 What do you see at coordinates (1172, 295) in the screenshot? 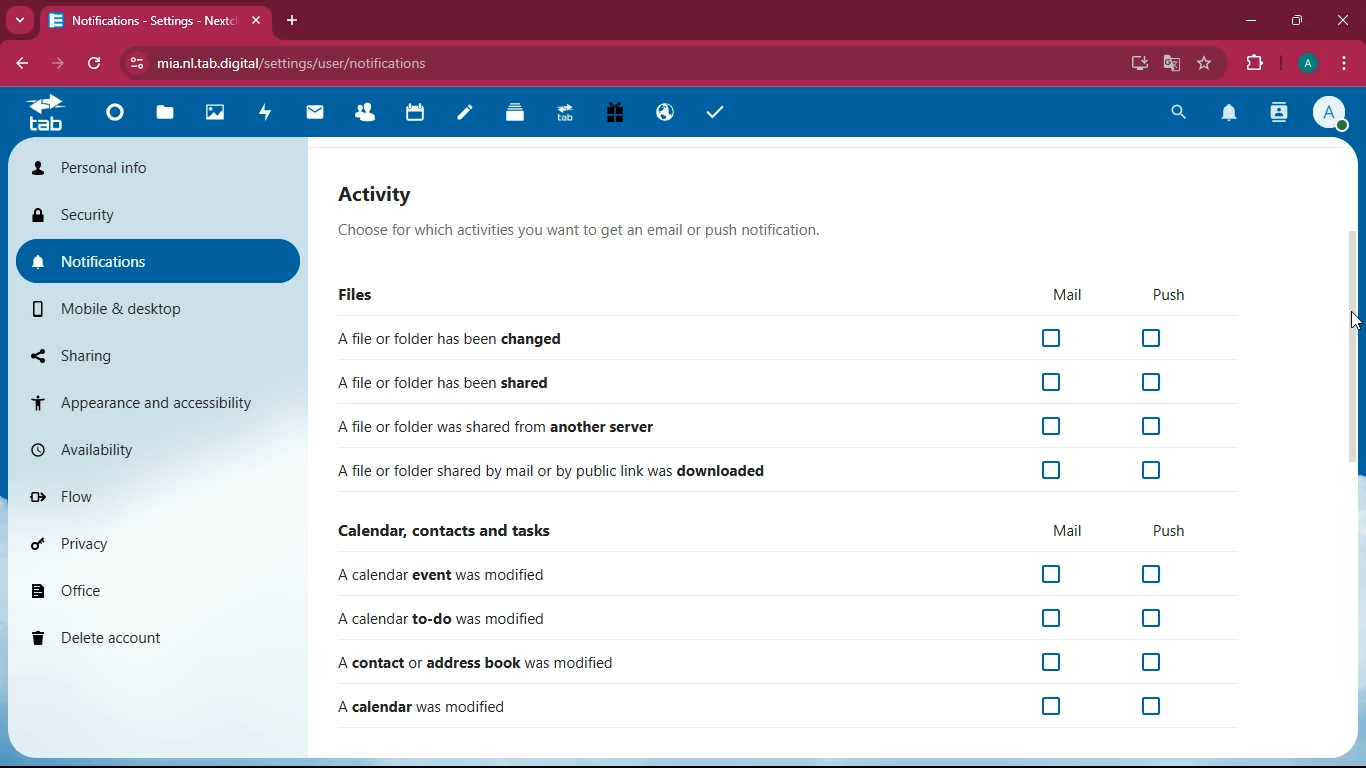
I see `push` at bounding box center [1172, 295].